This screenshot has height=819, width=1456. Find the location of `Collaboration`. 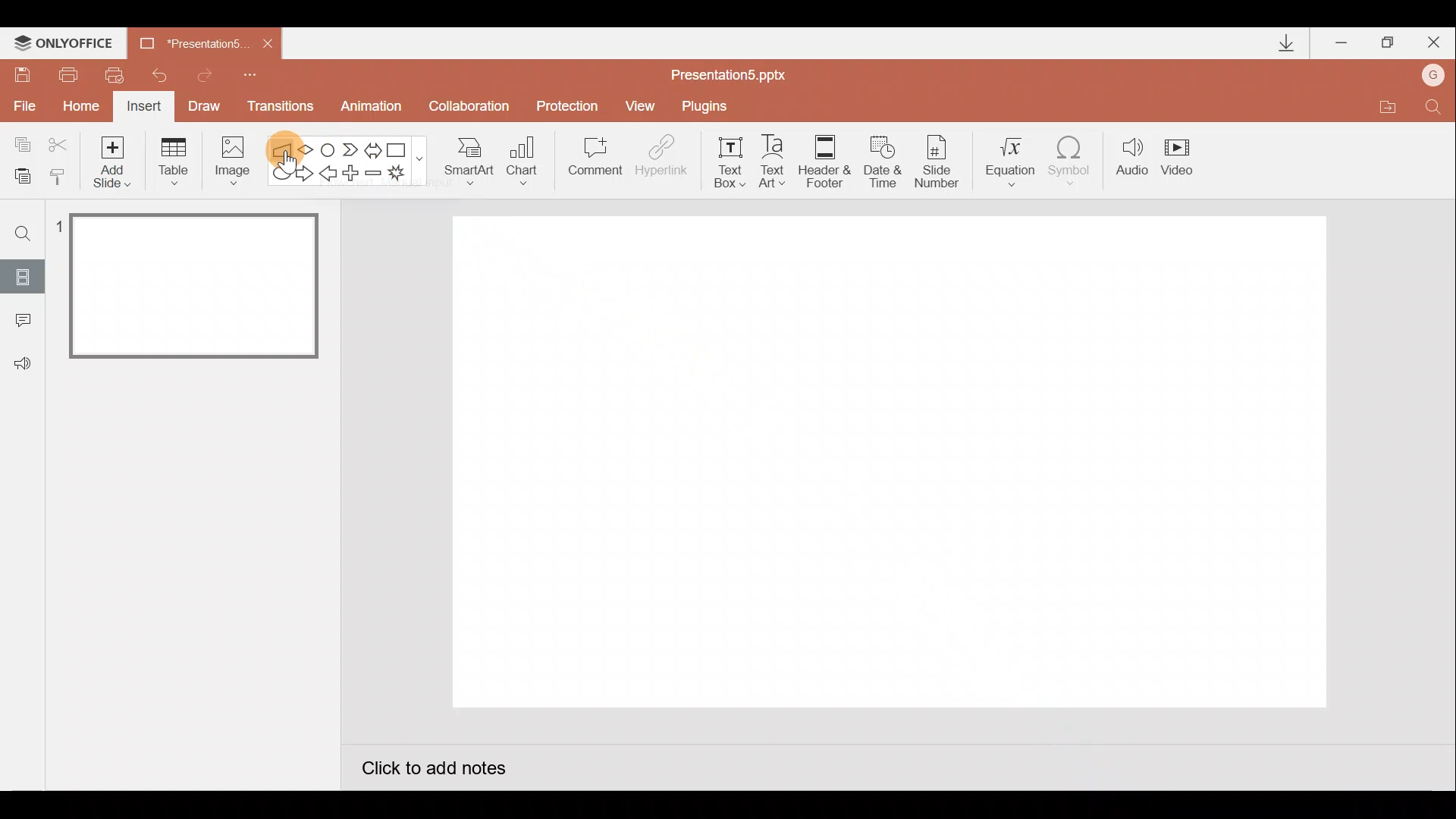

Collaboration is located at coordinates (472, 108).